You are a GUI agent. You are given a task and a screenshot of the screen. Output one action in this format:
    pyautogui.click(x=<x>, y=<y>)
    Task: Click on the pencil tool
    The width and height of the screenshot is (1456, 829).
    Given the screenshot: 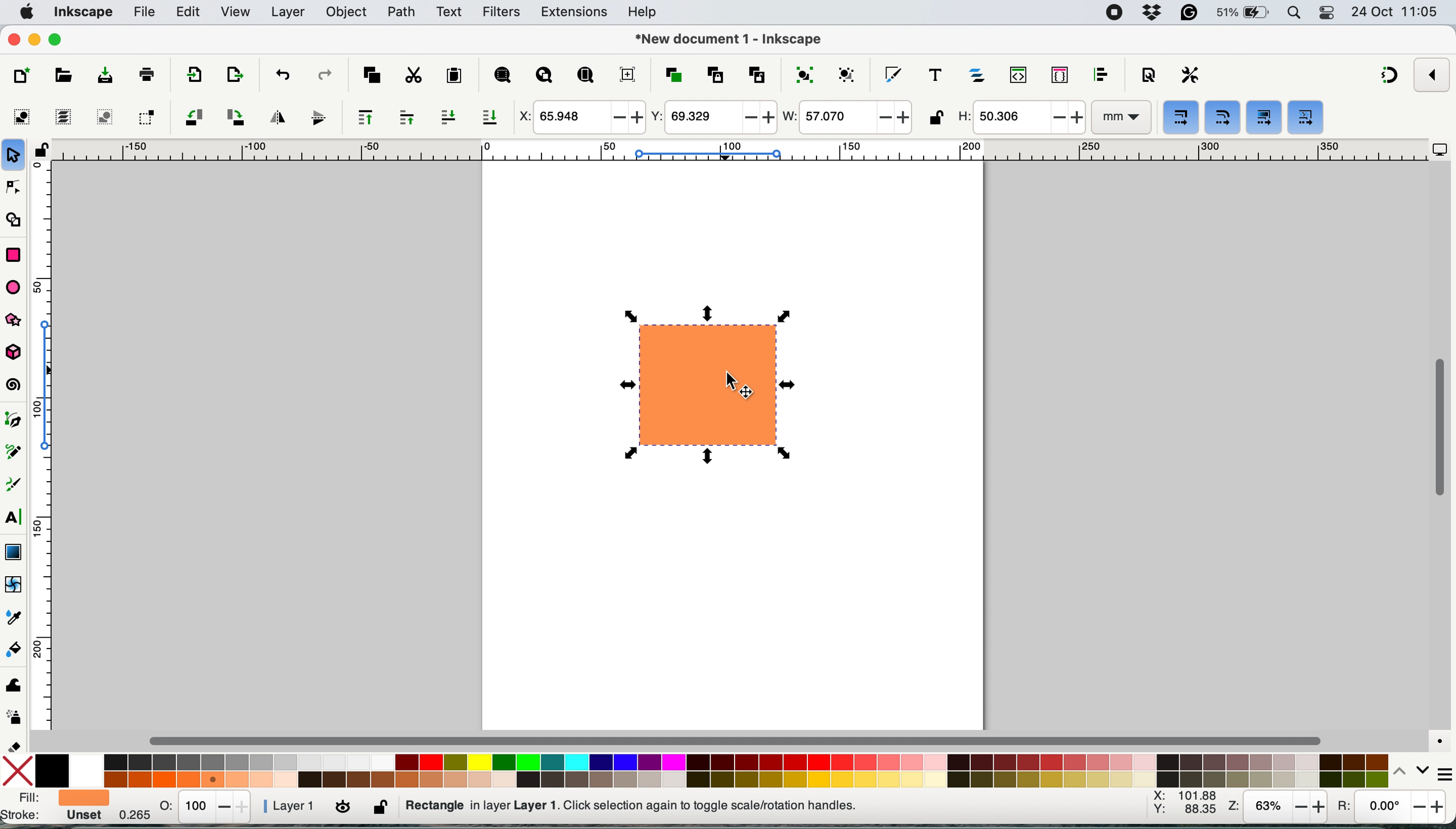 What is the action you would take?
    pyautogui.click(x=18, y=455)
    